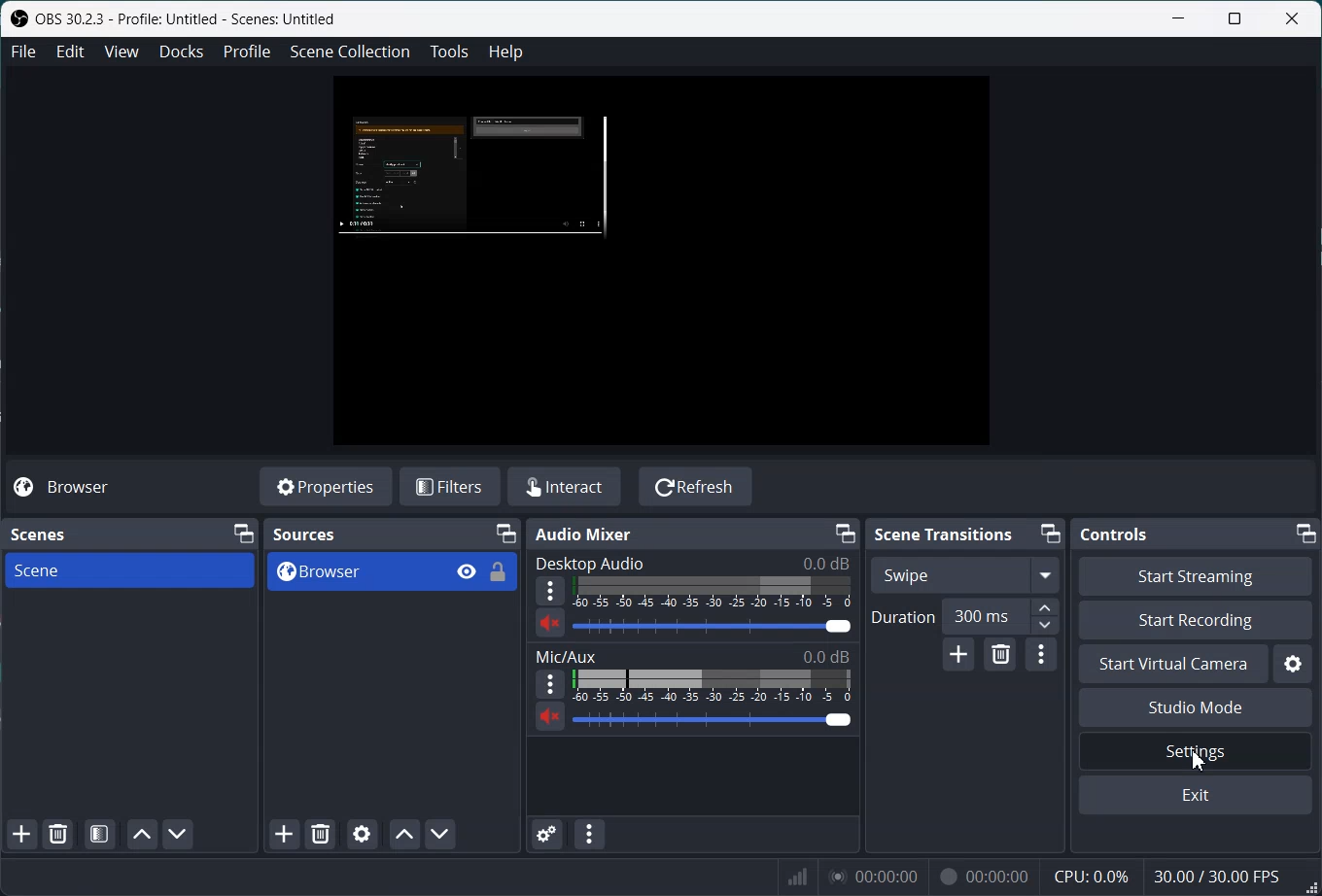 The height and width of the screenshot is (896, 1322). I want to click on 300 ms, so click(1004, 616).